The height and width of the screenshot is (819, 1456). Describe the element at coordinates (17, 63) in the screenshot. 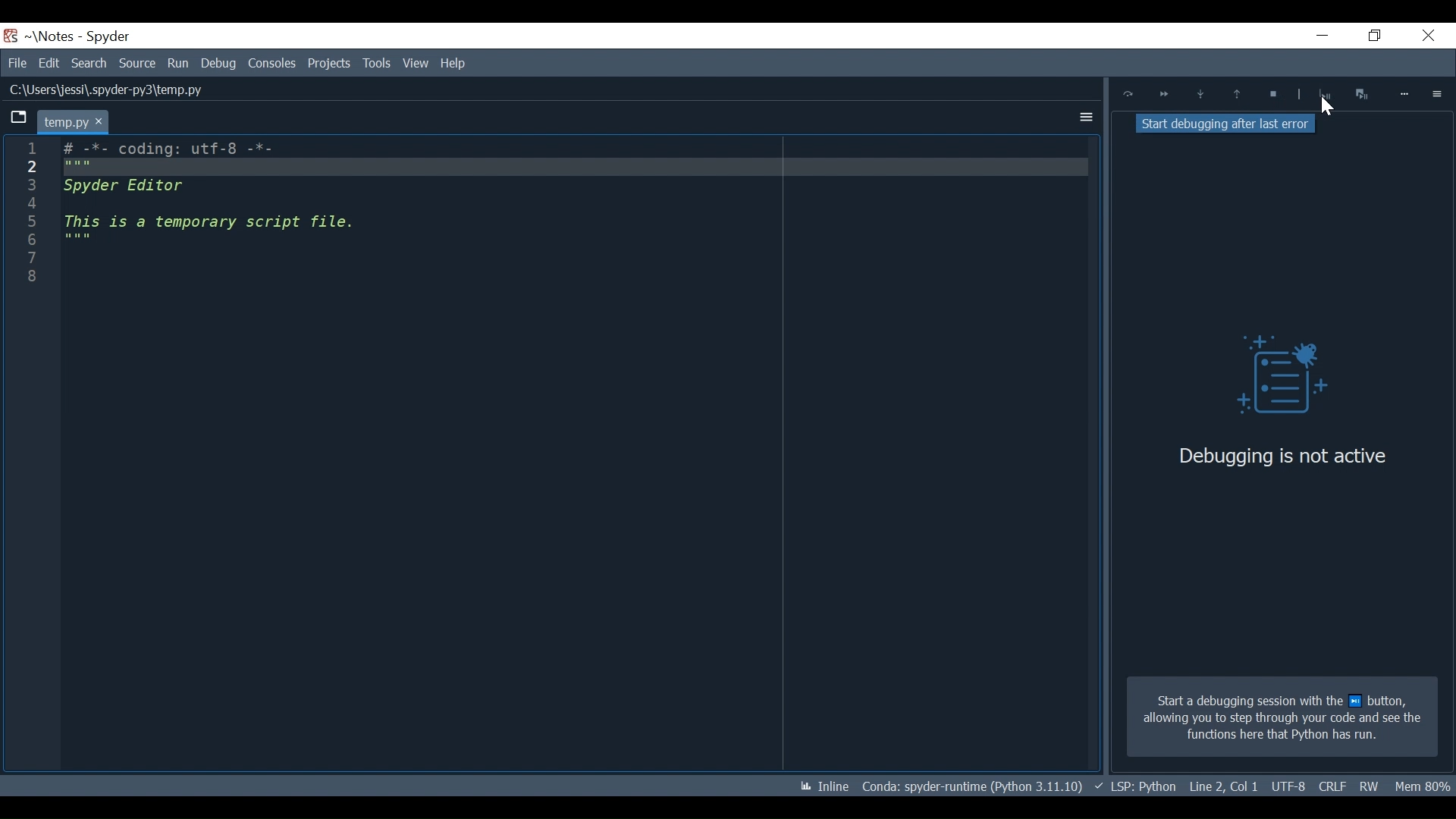

I see `File` at that location.